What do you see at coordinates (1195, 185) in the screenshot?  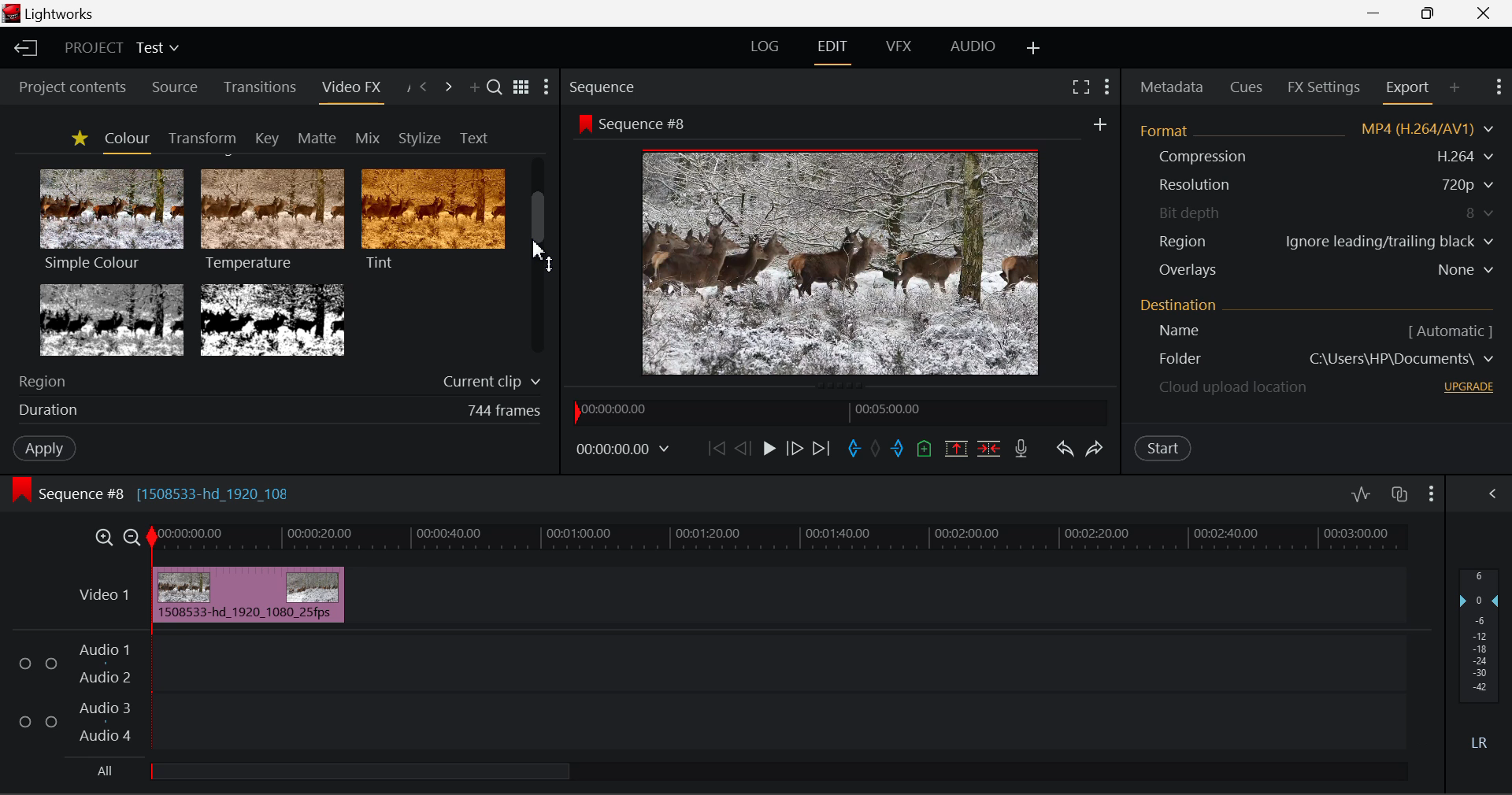 I see `Resolution` at bounding box center [1195, 185].